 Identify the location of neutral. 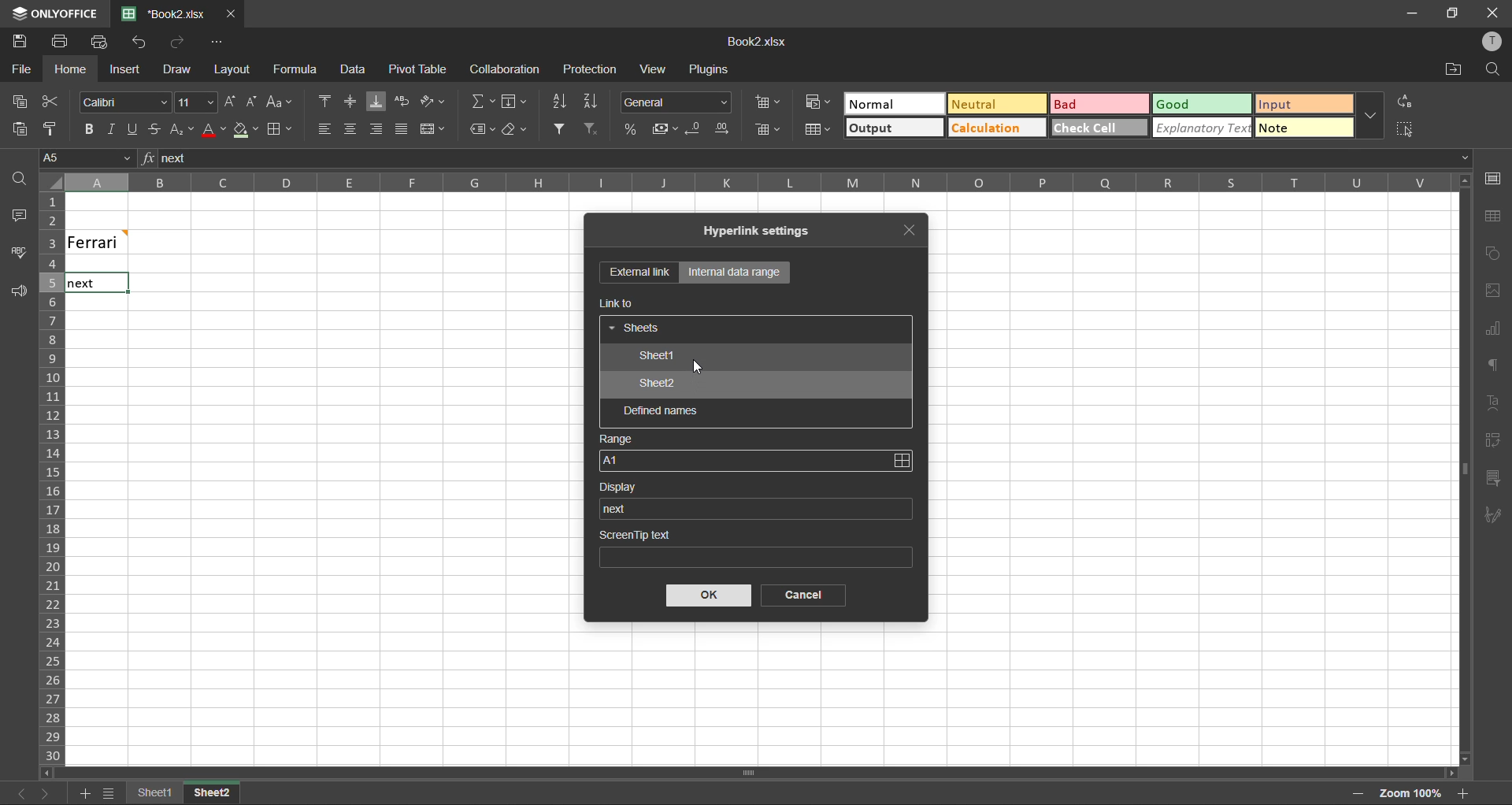
(994, 103).